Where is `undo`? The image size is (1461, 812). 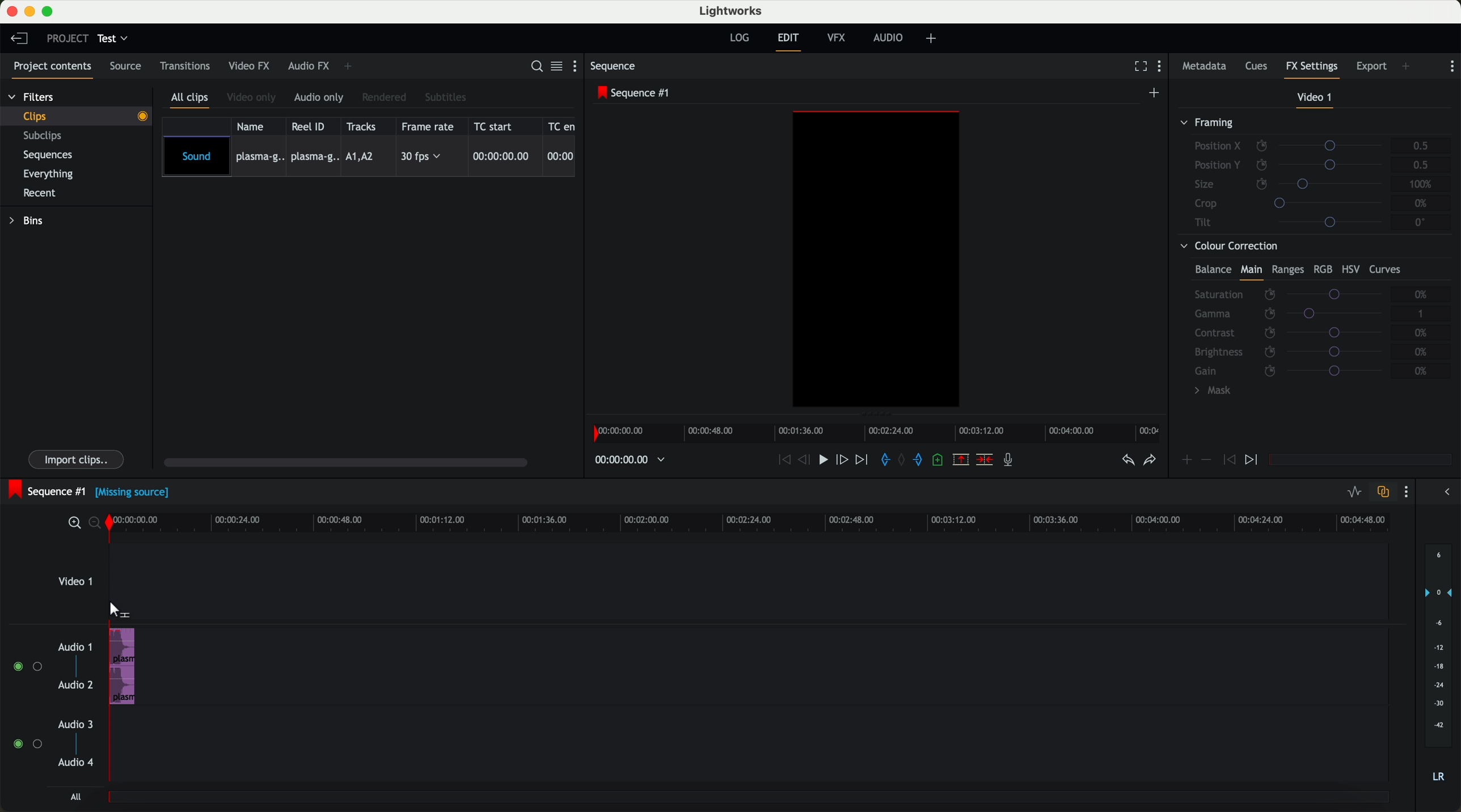
undo is located at coordinates (1126, 463).